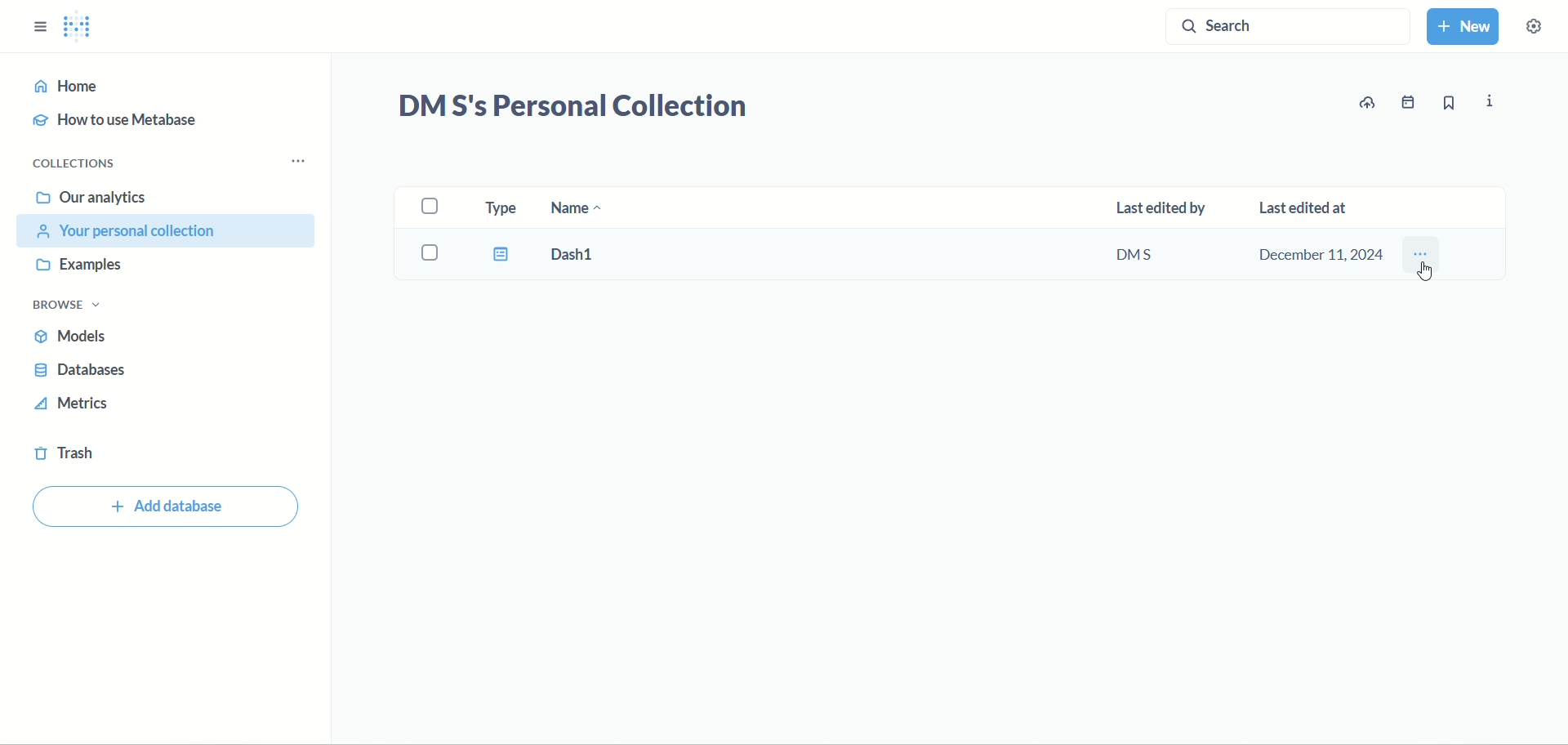 The image size is (1568, 745). What do you see at coordinates (572, 108) in the screenshot?
I see `DMS's Personal Collection` at bounding box center [572, 108].